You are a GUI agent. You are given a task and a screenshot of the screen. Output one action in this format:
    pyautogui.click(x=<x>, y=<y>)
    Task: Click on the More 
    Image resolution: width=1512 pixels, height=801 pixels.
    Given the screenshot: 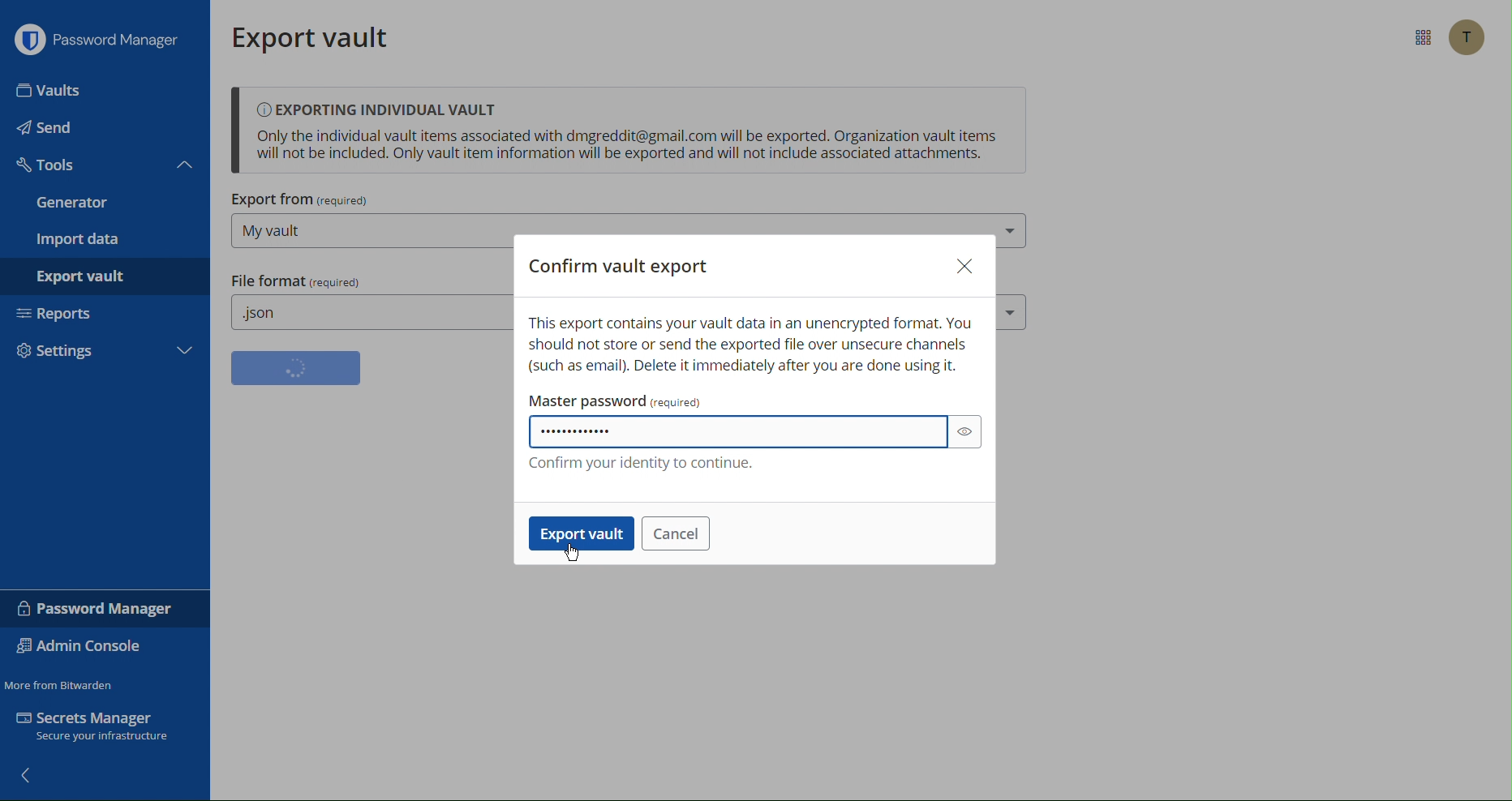 What is the action you would take?
    pyautogui.click(x=184, y=349)
    